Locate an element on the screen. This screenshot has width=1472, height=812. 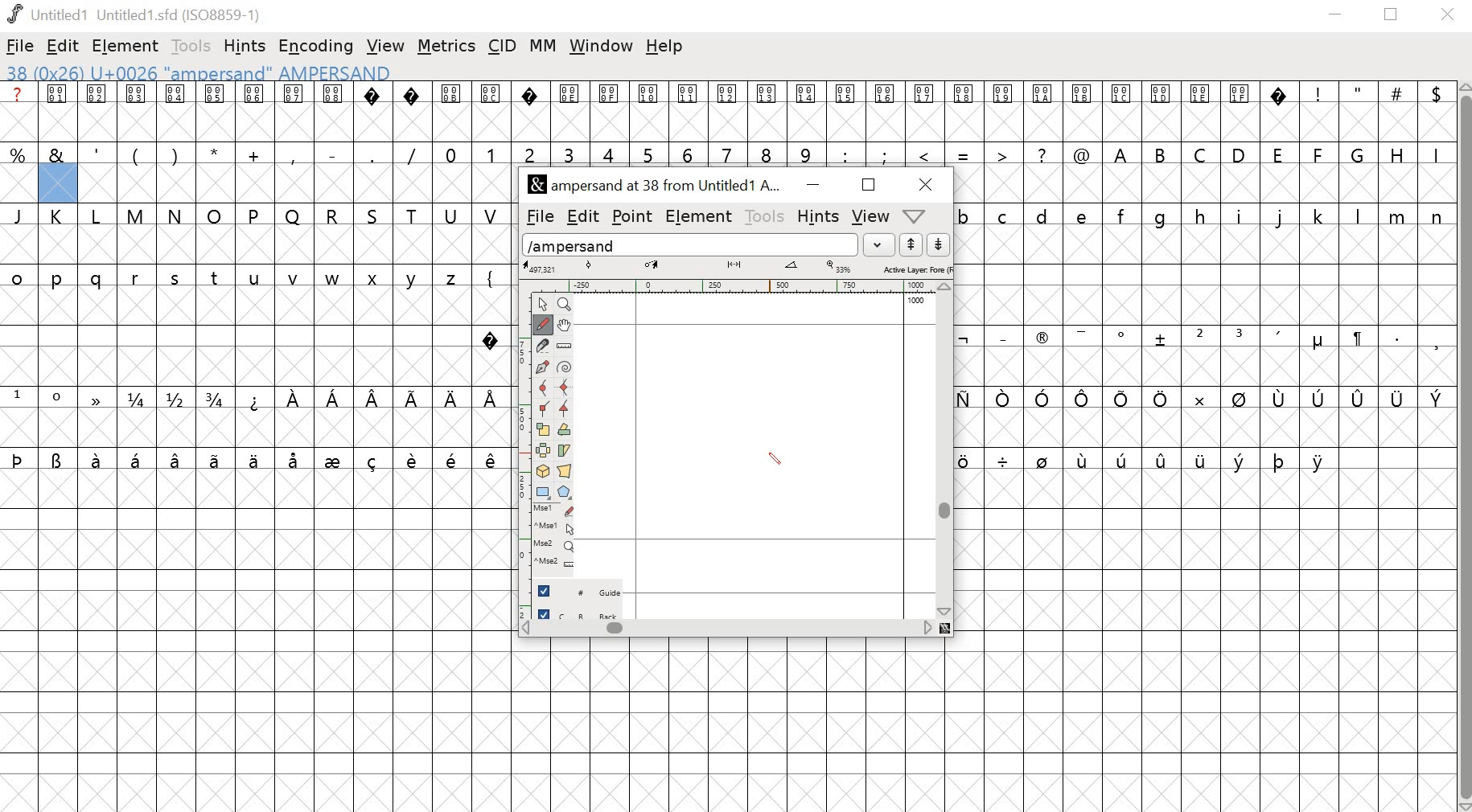
0012 is located at coordinates (731, 111).